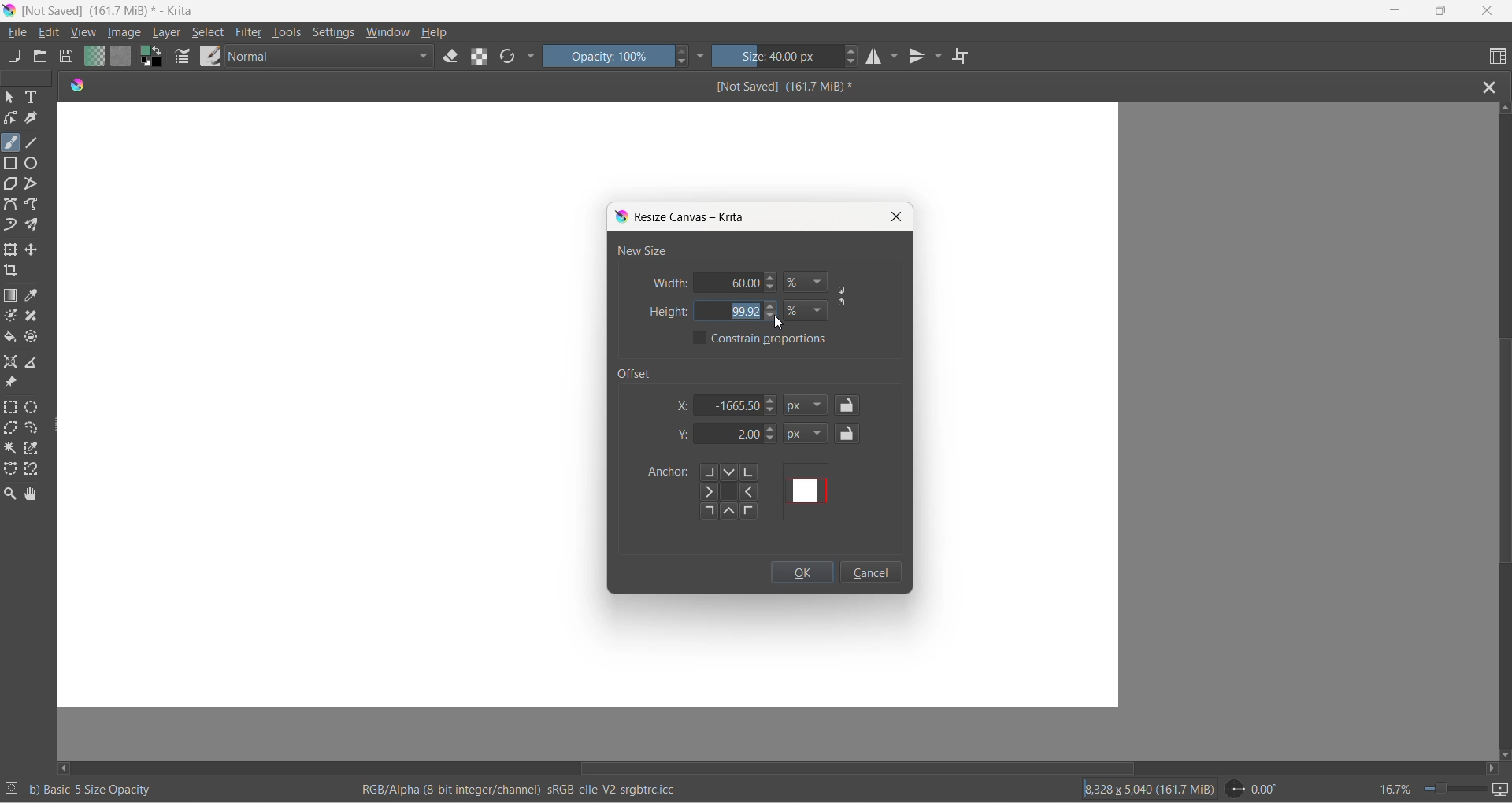 The image size is (1512, 803). What do you see at coordinates (32, 162) in the screenshot?
I see `ellipse tool` at bounding box center [32, 162].